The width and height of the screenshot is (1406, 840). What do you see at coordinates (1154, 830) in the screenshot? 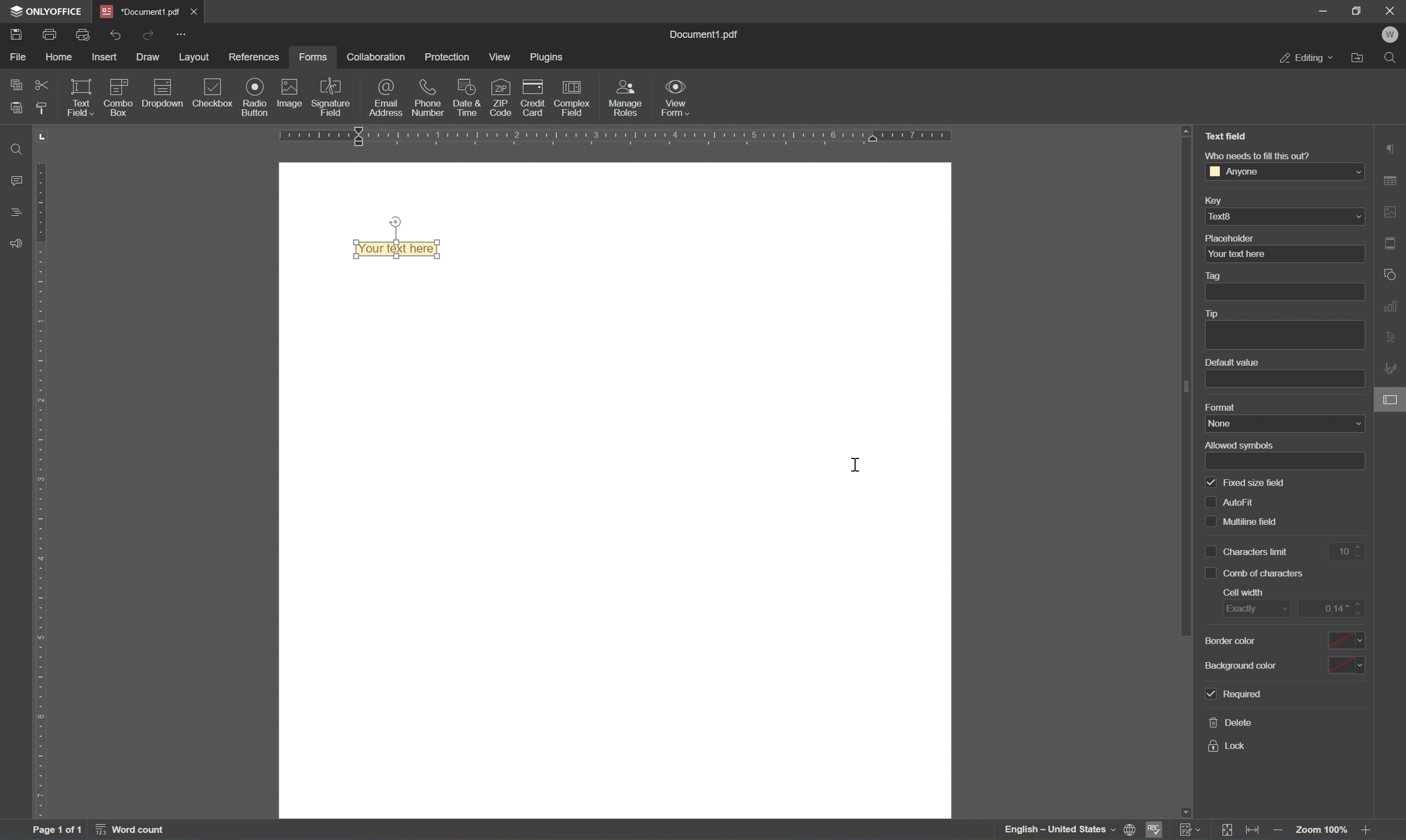
I see `spell checking` at bounding box center [1154, 830].